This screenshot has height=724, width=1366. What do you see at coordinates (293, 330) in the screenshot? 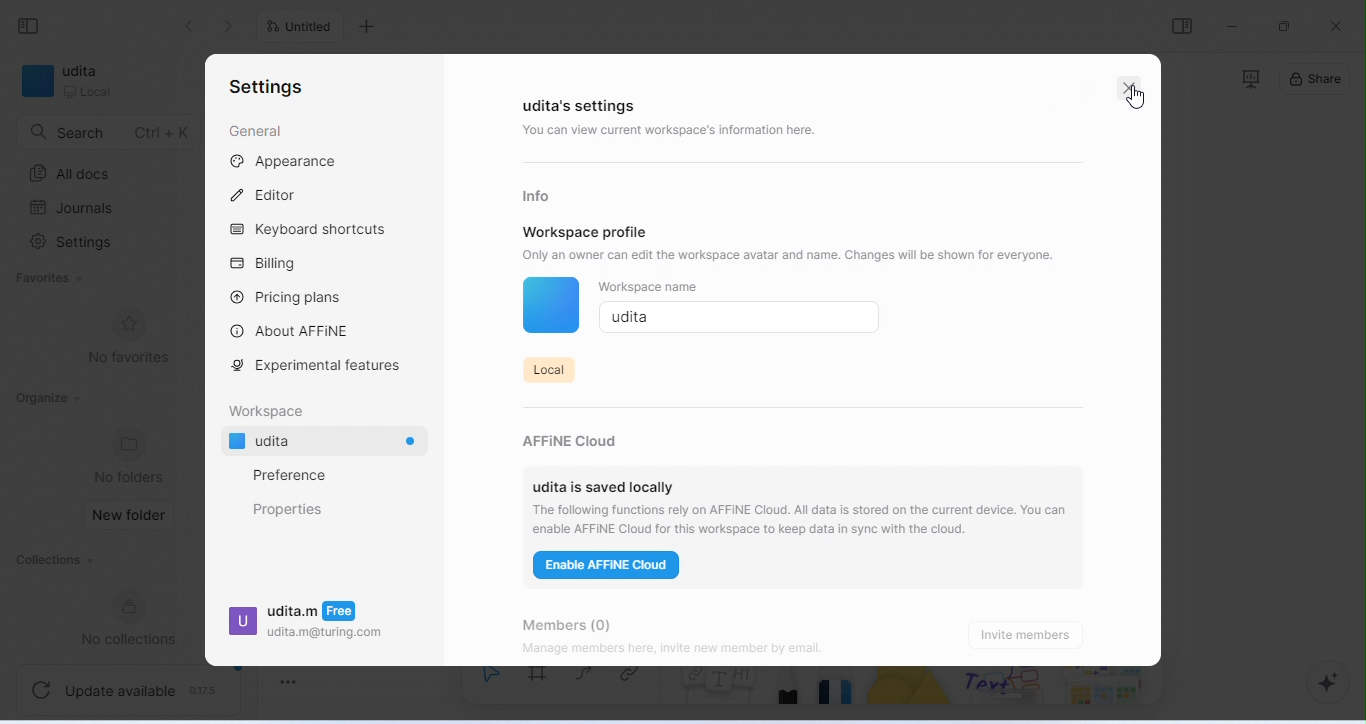
I see `about affine` at bounding box center [293, 330].